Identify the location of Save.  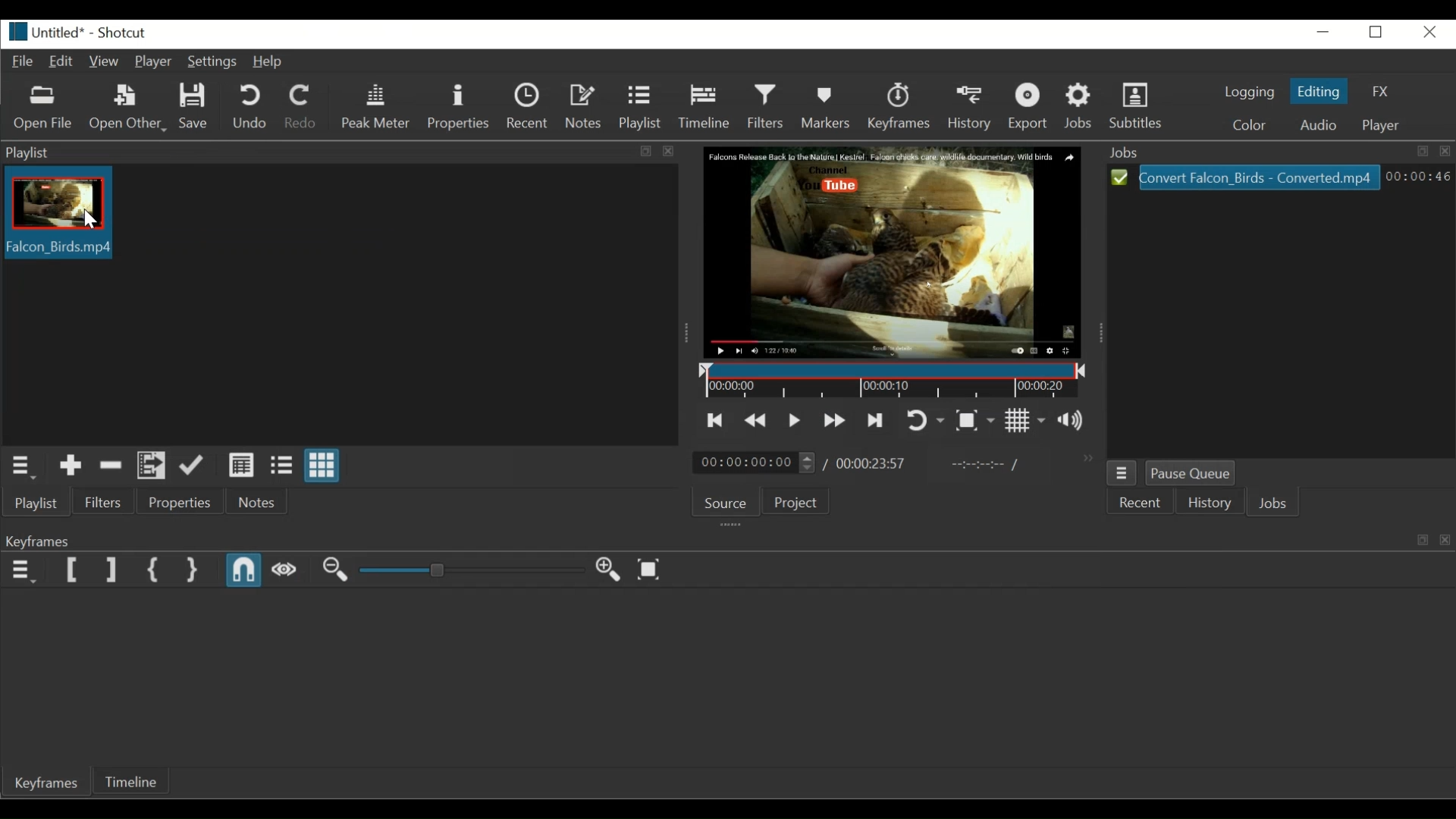
(192, 106).